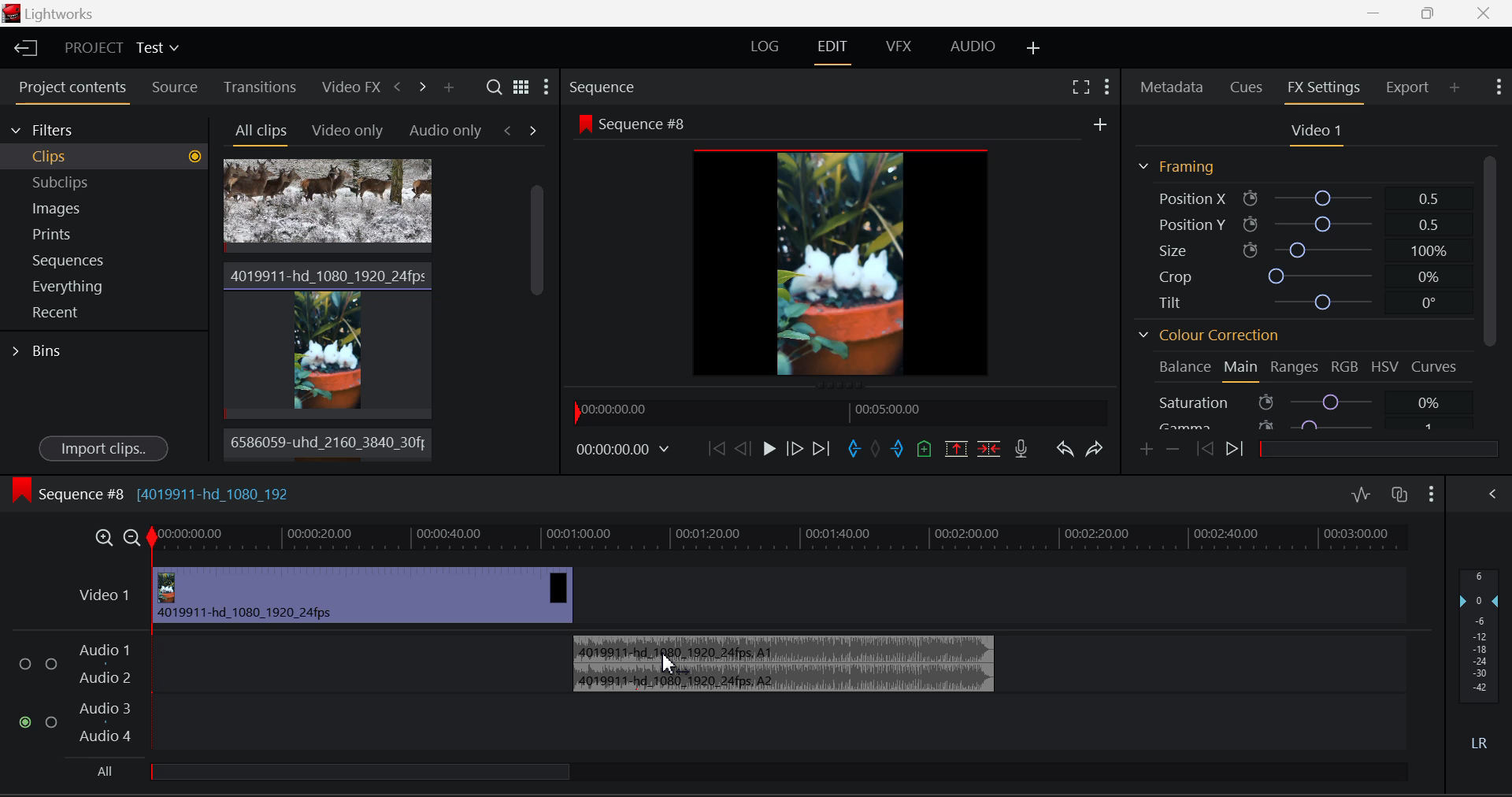 Image resolution: width=1512 pixels, height=797 pixels. I want to click on Close, so click(1484, 13).